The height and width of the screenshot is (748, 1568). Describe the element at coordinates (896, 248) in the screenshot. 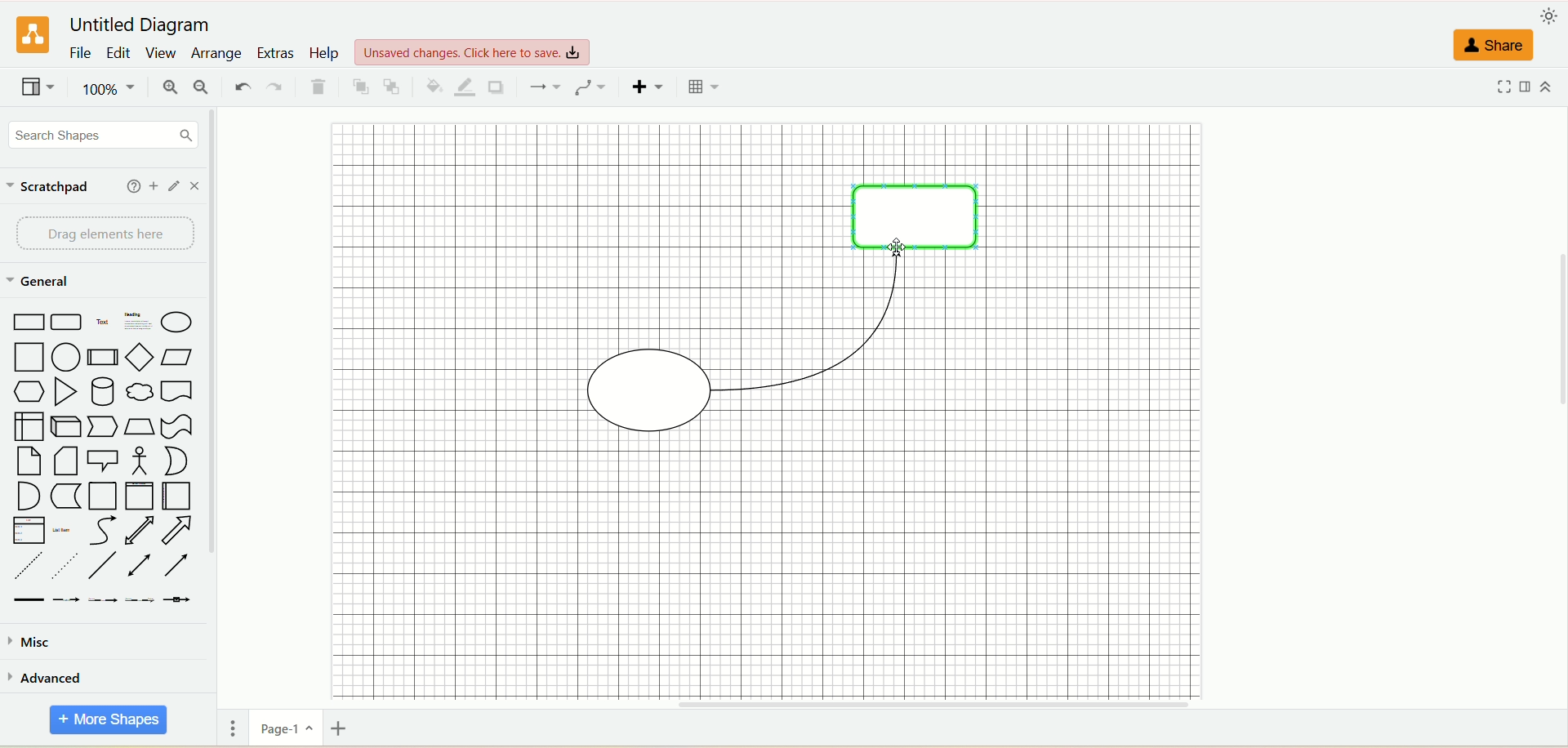

I see `cursor` at that location.